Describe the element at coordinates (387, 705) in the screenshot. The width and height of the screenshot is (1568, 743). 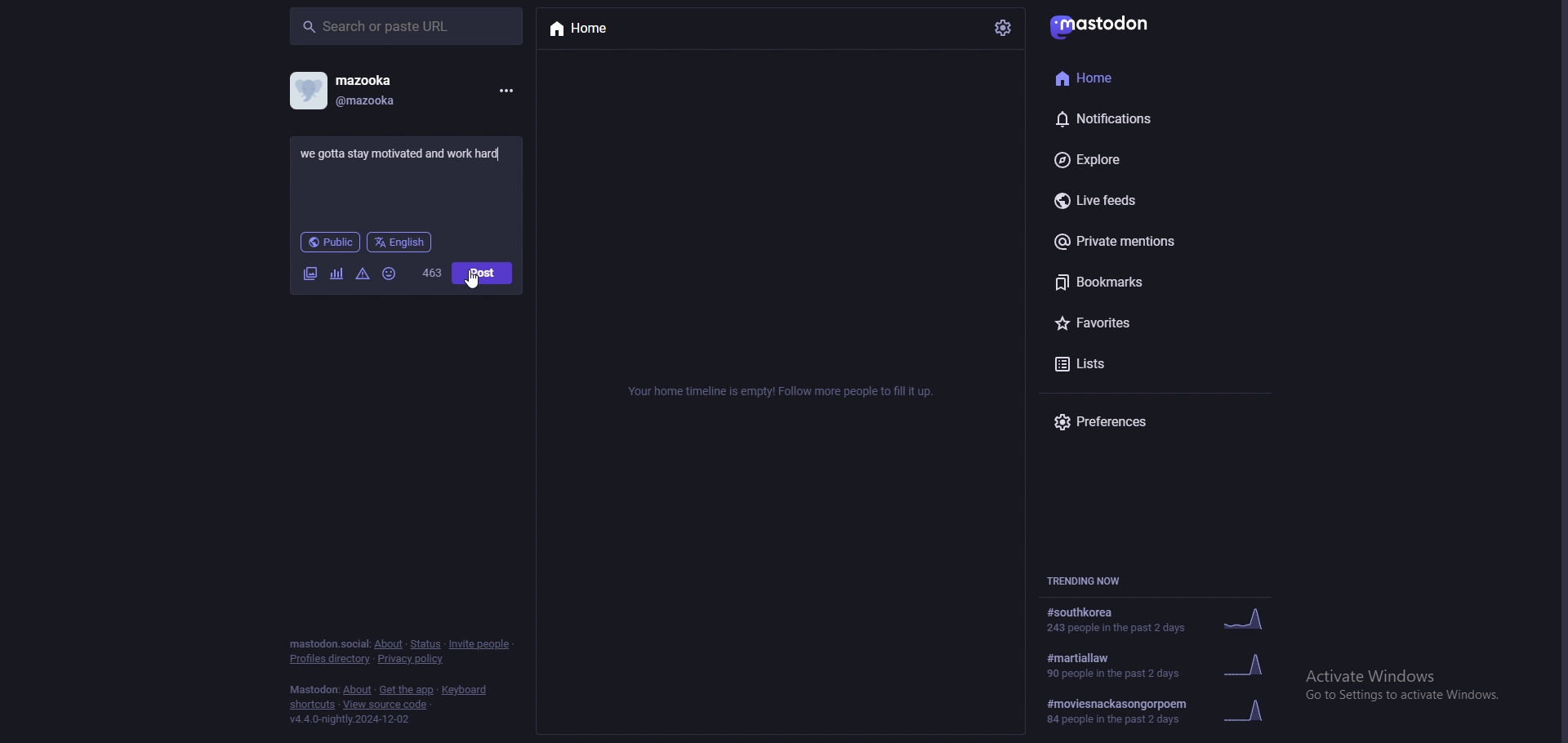
I see `view source code` at that location.